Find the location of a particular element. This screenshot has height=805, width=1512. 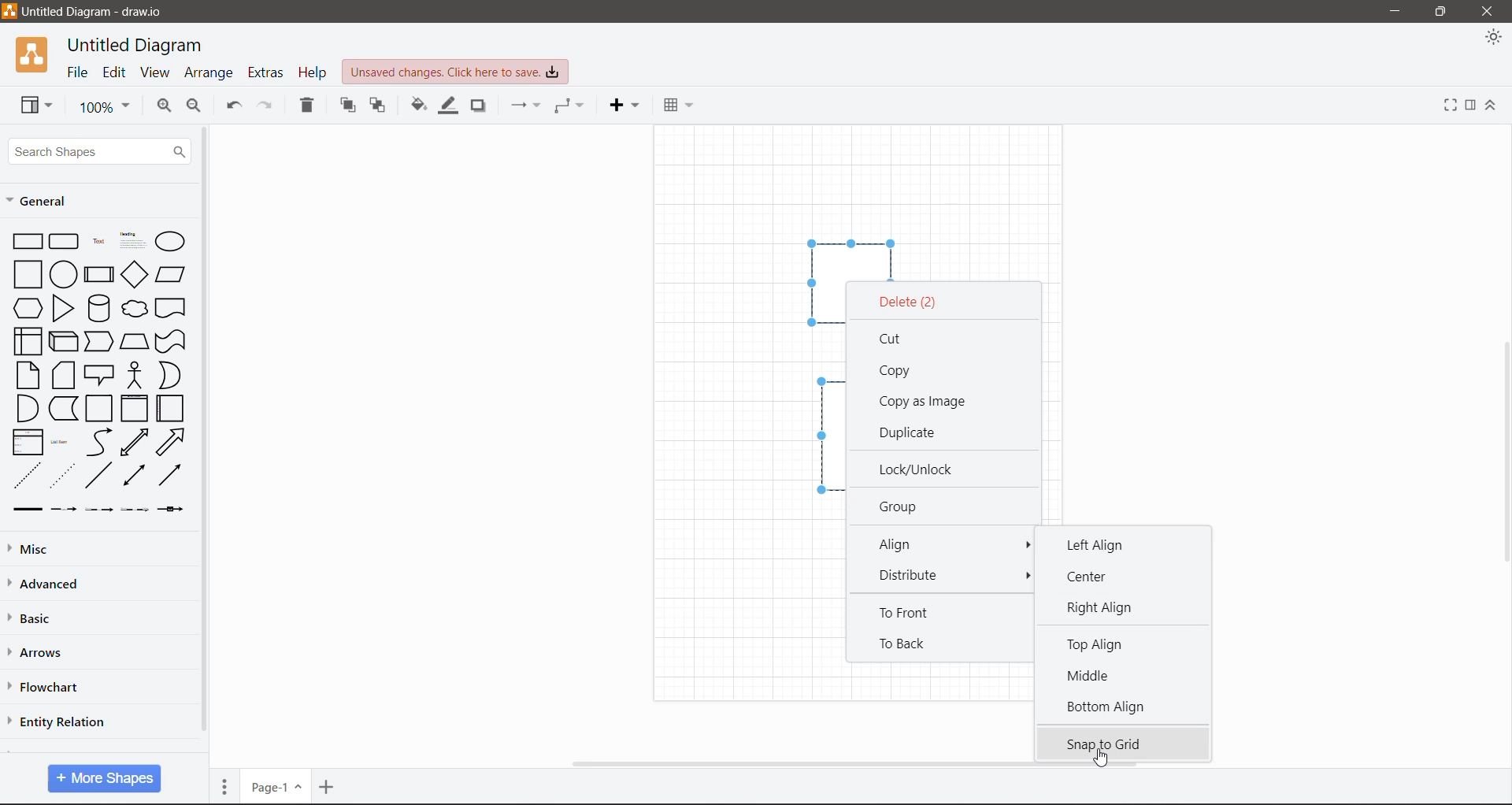

Help is located at coordinates (312, 71).